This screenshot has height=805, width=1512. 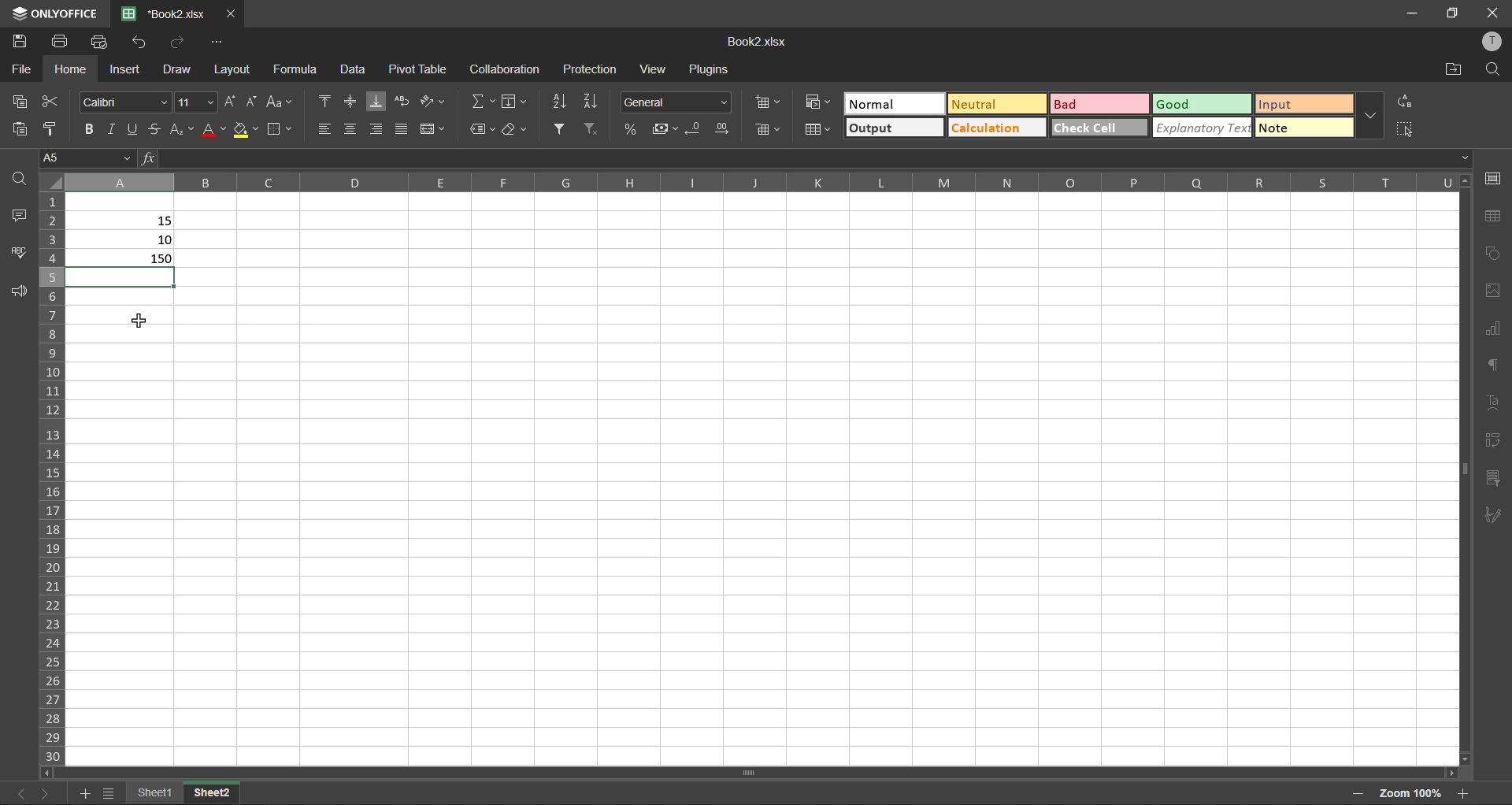 What do you see at coordinates (402, 129) in the screenshot?
I see `justified` at bounding box center [402, 129].